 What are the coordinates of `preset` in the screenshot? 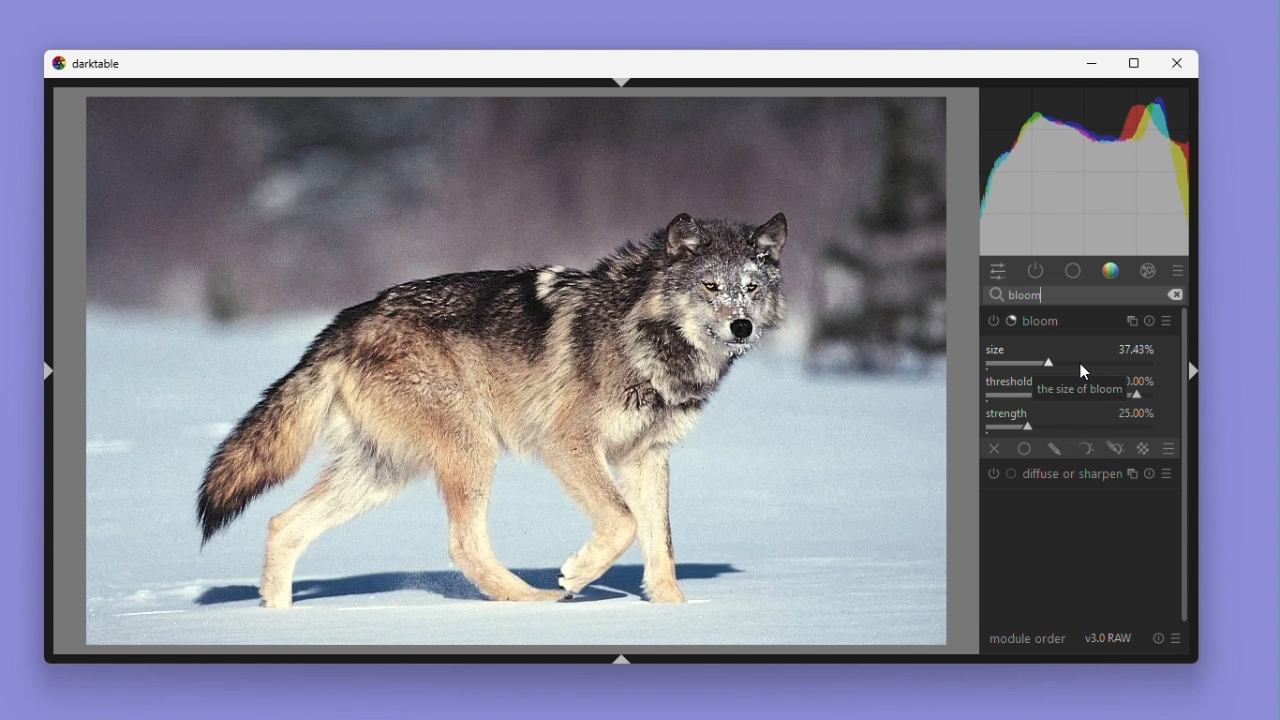 It's located at (1178, 638).